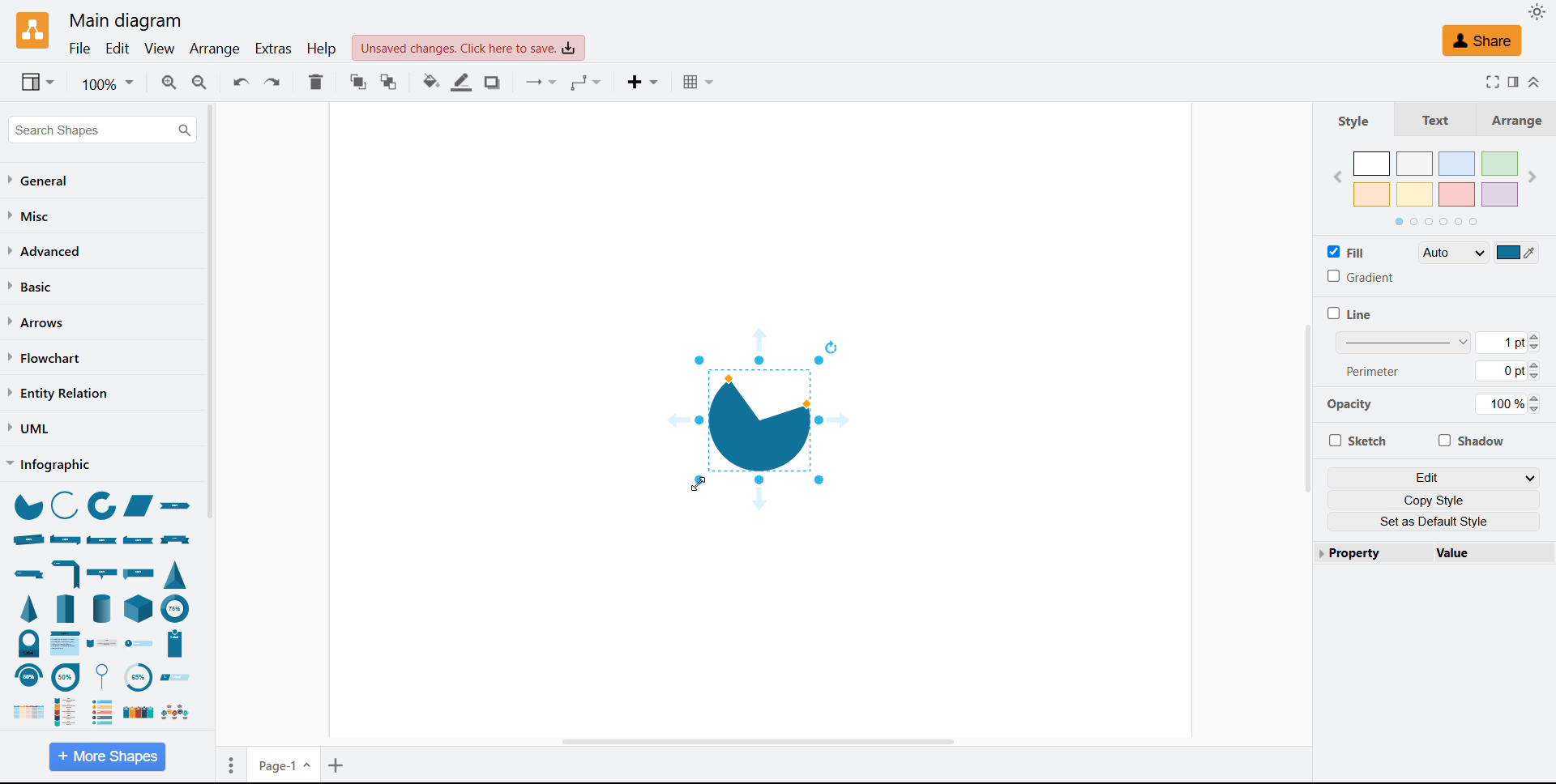  I want to click on circular callout, so click(66, 676).